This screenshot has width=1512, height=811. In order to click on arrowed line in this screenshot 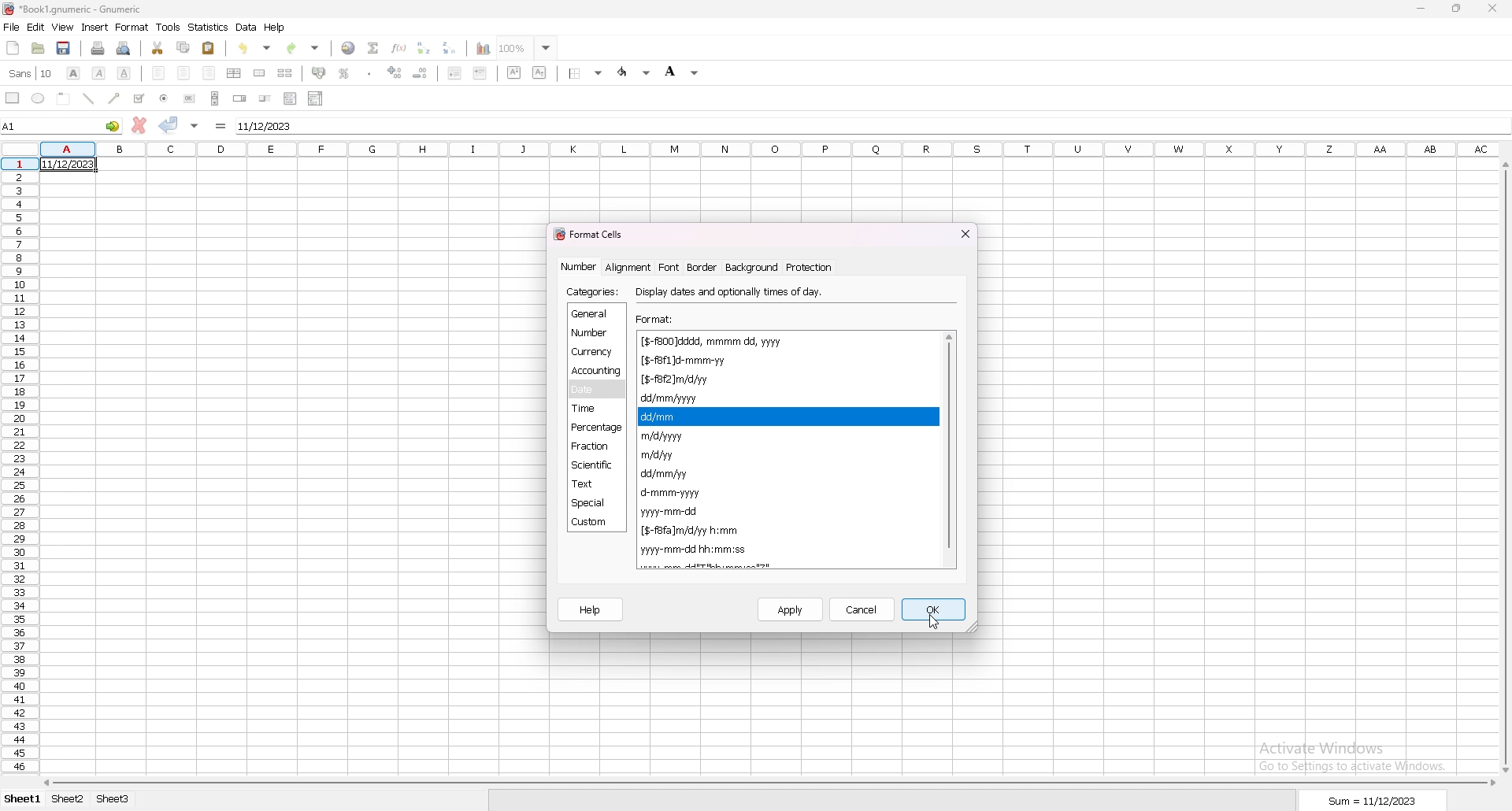, I will do `click(116, 98)`.